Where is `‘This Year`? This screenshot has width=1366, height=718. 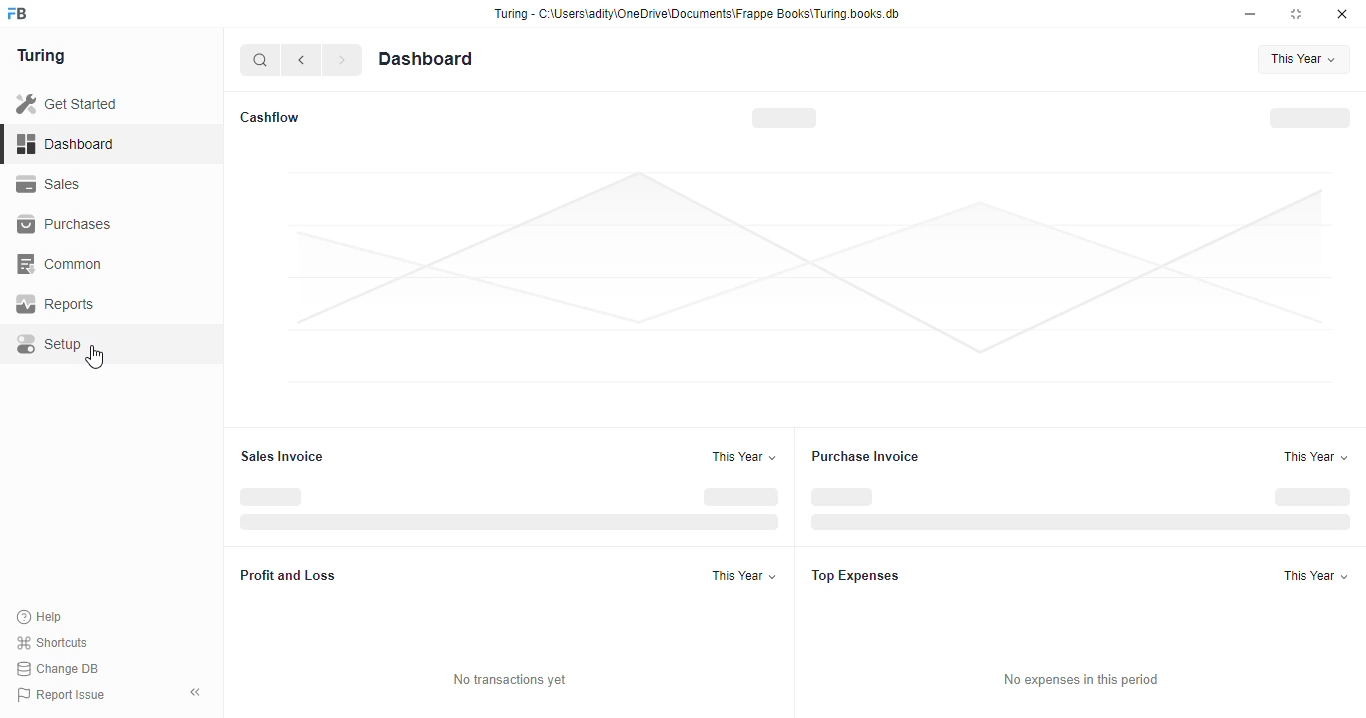
‘This Year is located at coordinates (743, 576).